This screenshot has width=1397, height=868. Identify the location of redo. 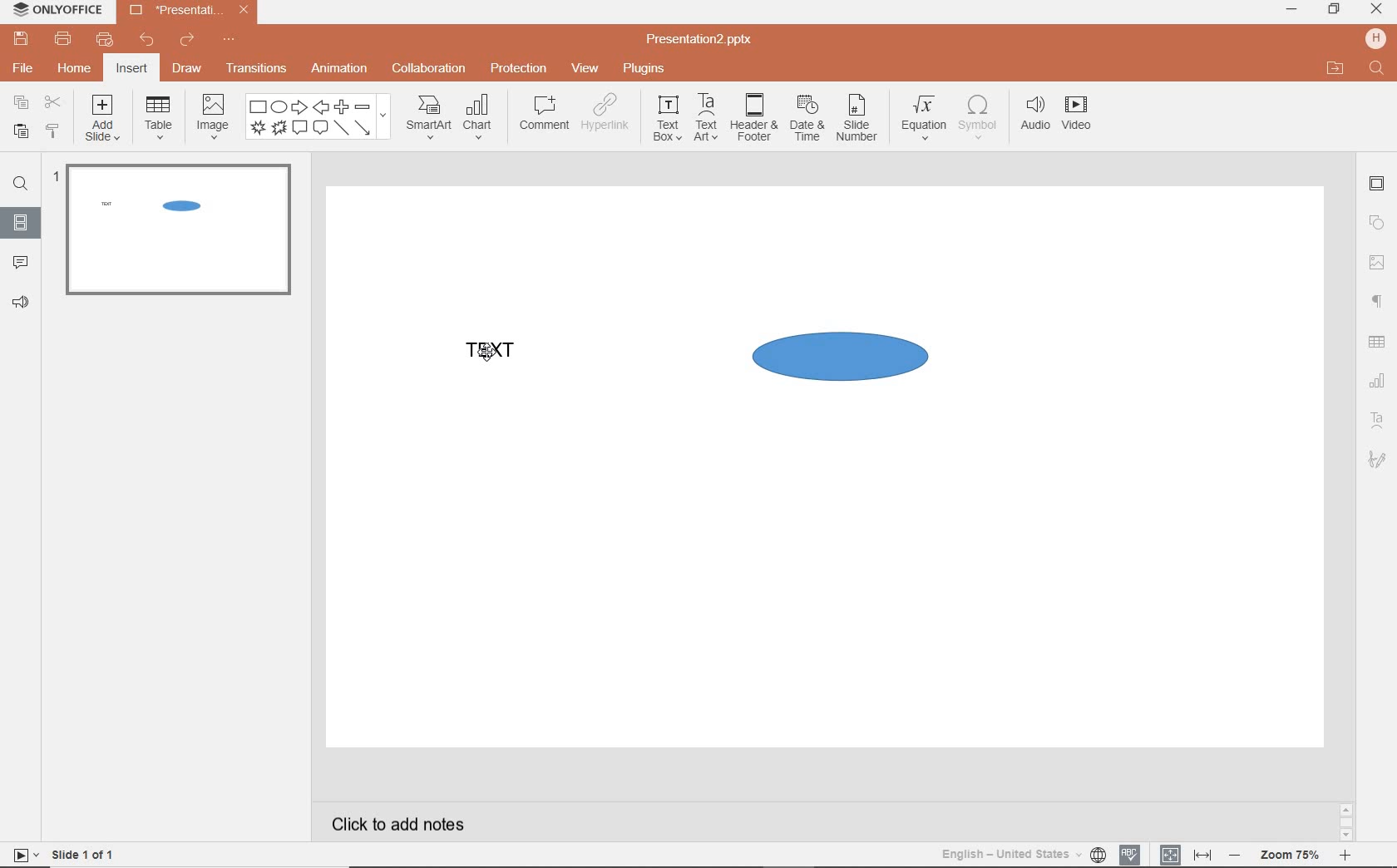
(186, 42).